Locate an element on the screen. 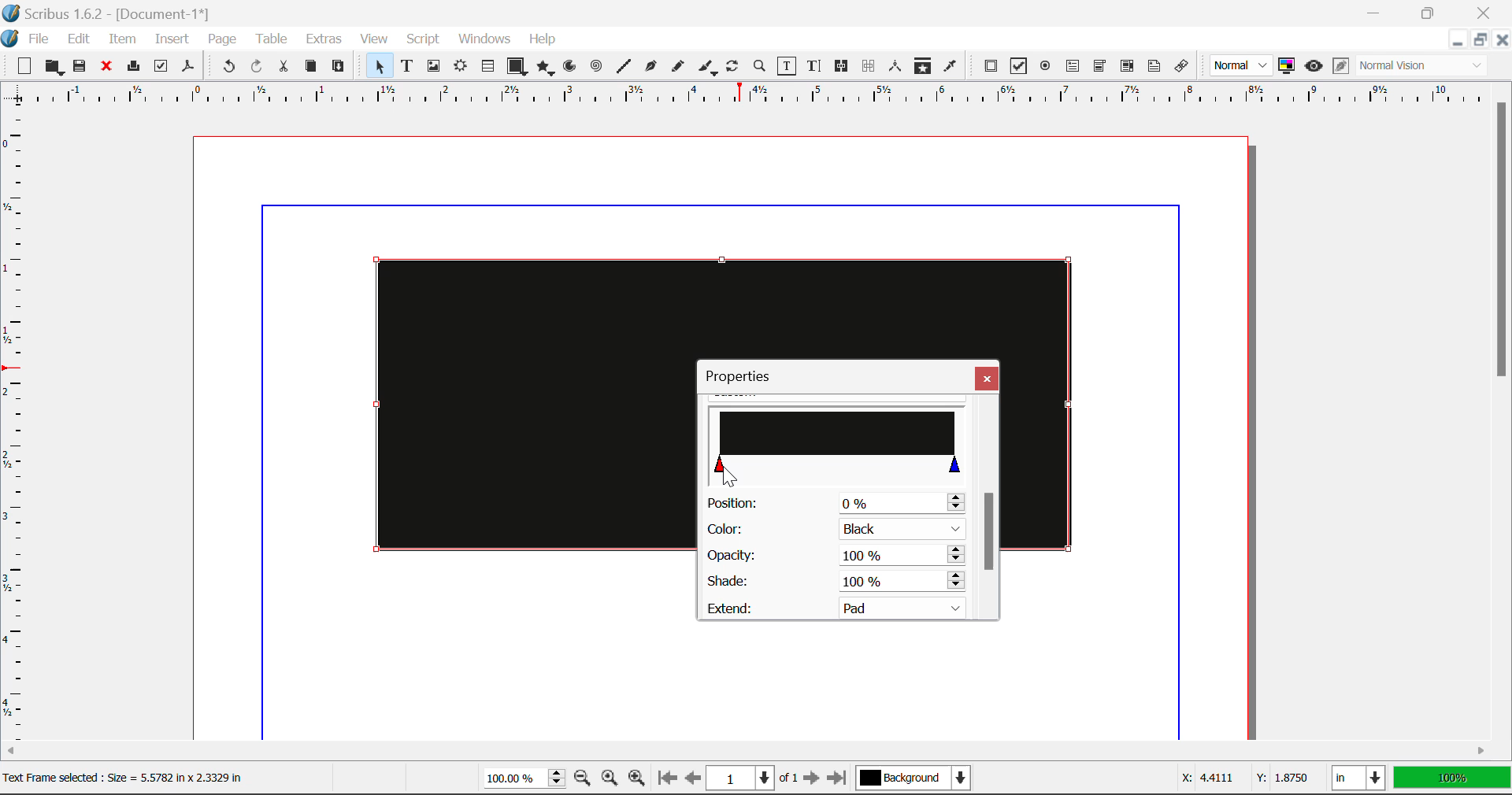 Image resolution: width=1512 pixels, height=795 pixels. Shapes is located at coordinates (517, 68).